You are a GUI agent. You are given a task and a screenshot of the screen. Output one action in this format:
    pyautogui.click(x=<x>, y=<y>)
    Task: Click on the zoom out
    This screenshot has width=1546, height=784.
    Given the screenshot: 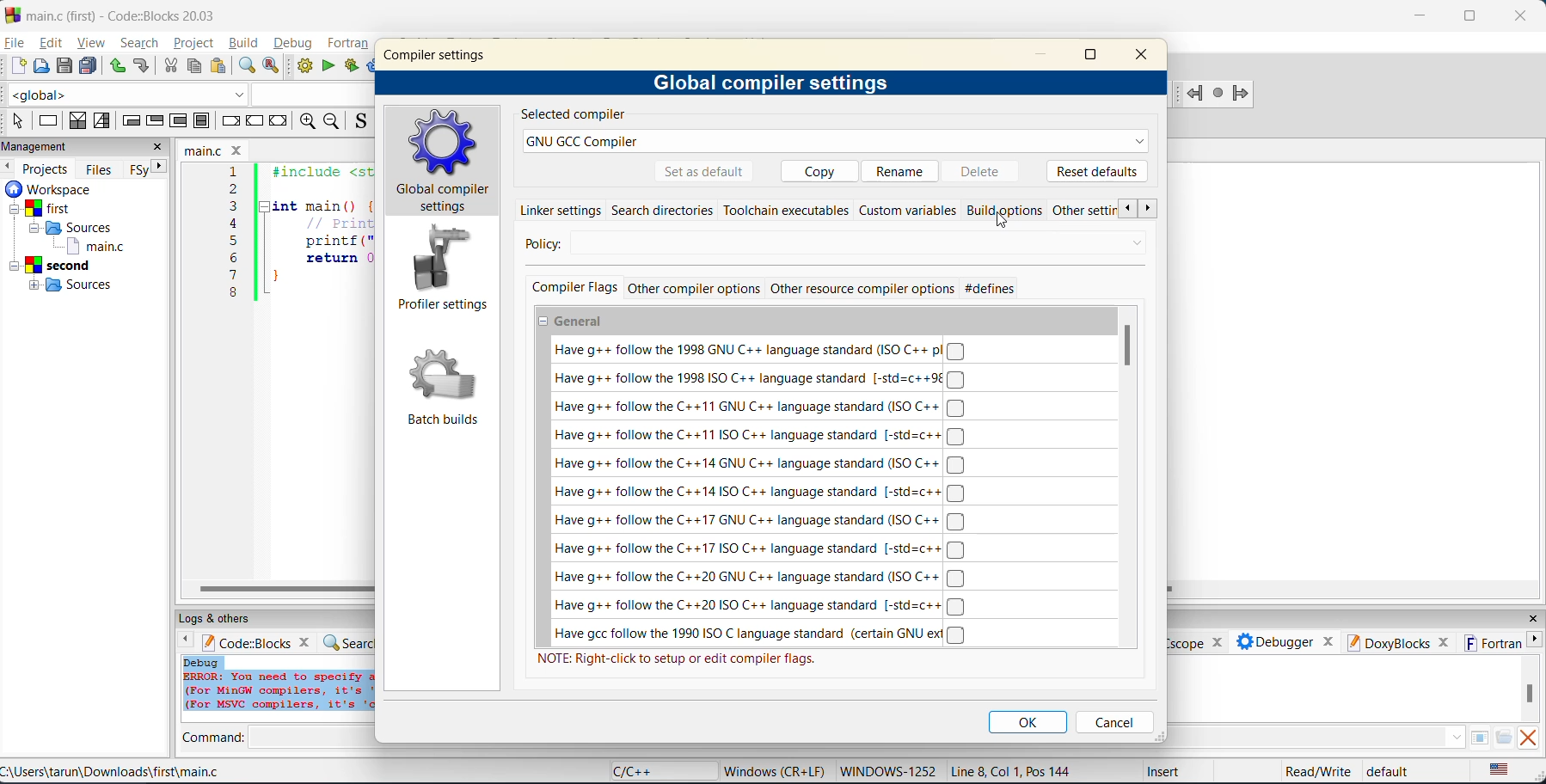 What is the action you would take?
    pyautogui.click(x=334, y=122)
    